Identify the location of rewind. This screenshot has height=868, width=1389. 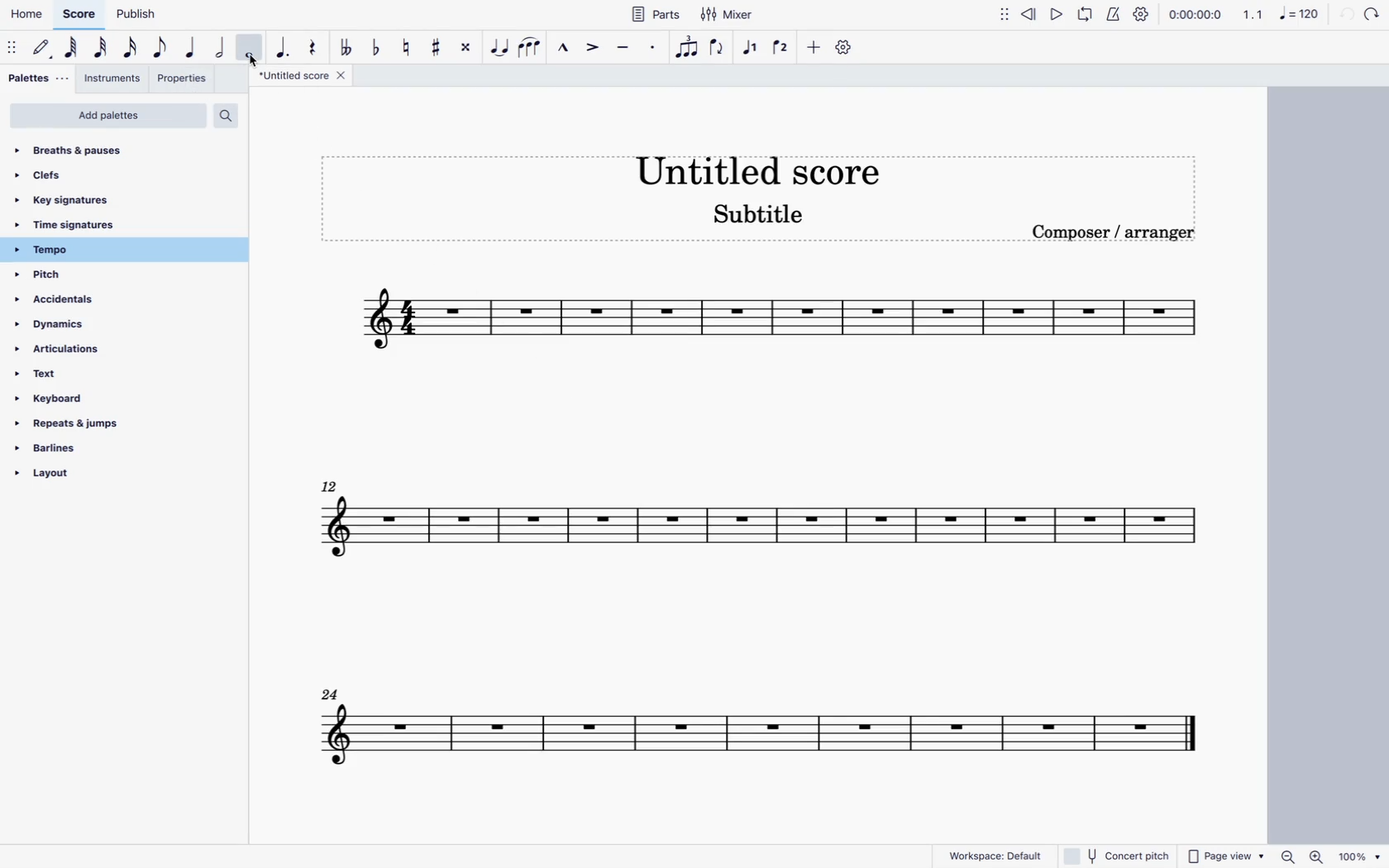
(1030, 16).